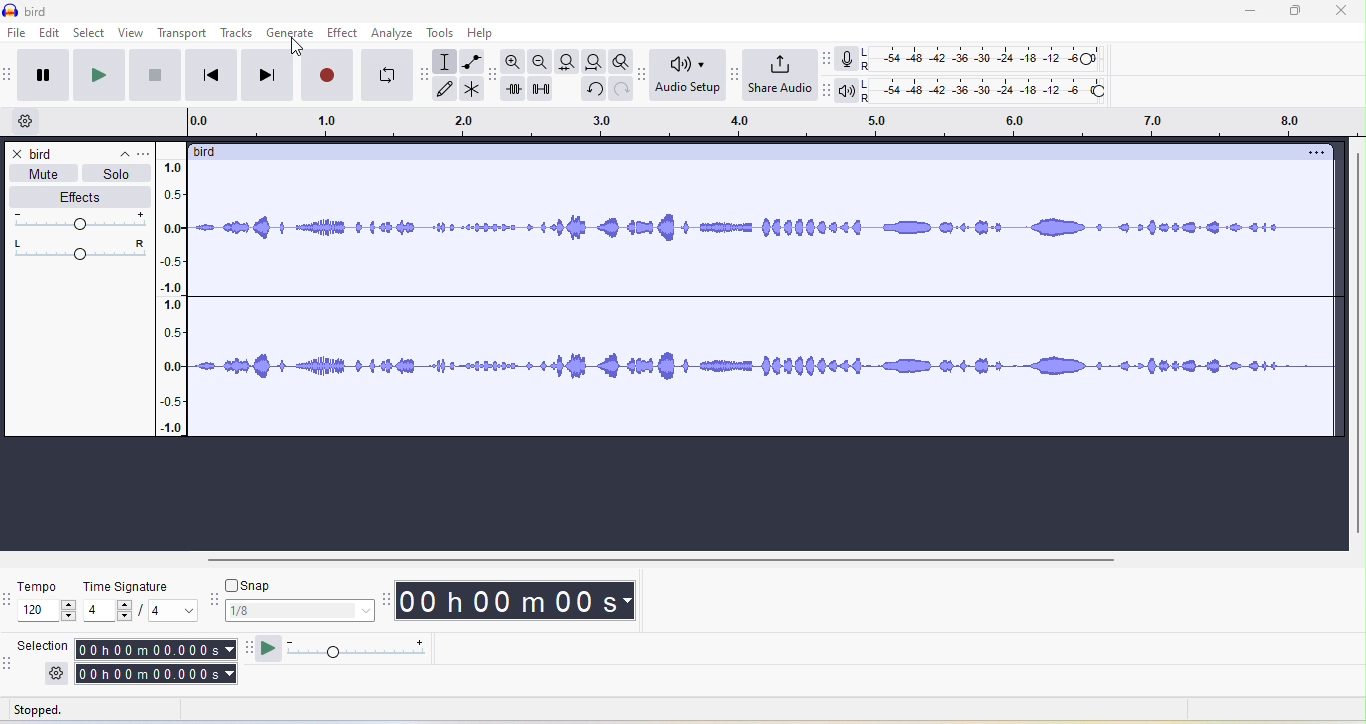 The height and width of the screenshot is (724, 1366). What do you see at coordinates (451, 88) in the screenshot?
I see `draw tool` at bounding box center [451, 88].